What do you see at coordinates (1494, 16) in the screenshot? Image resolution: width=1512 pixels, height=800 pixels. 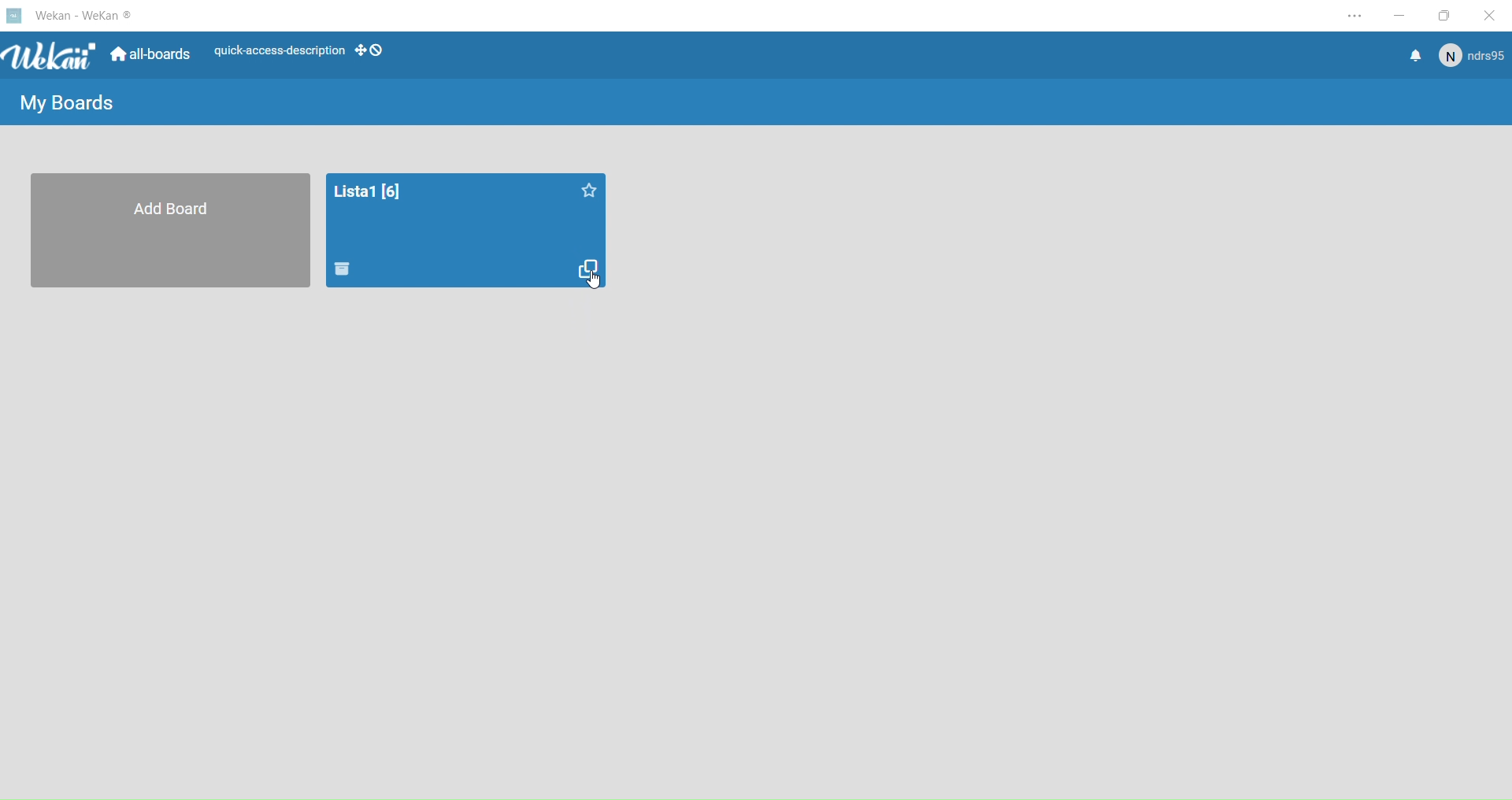 I see `Close` at bounding box center [1494, 16].